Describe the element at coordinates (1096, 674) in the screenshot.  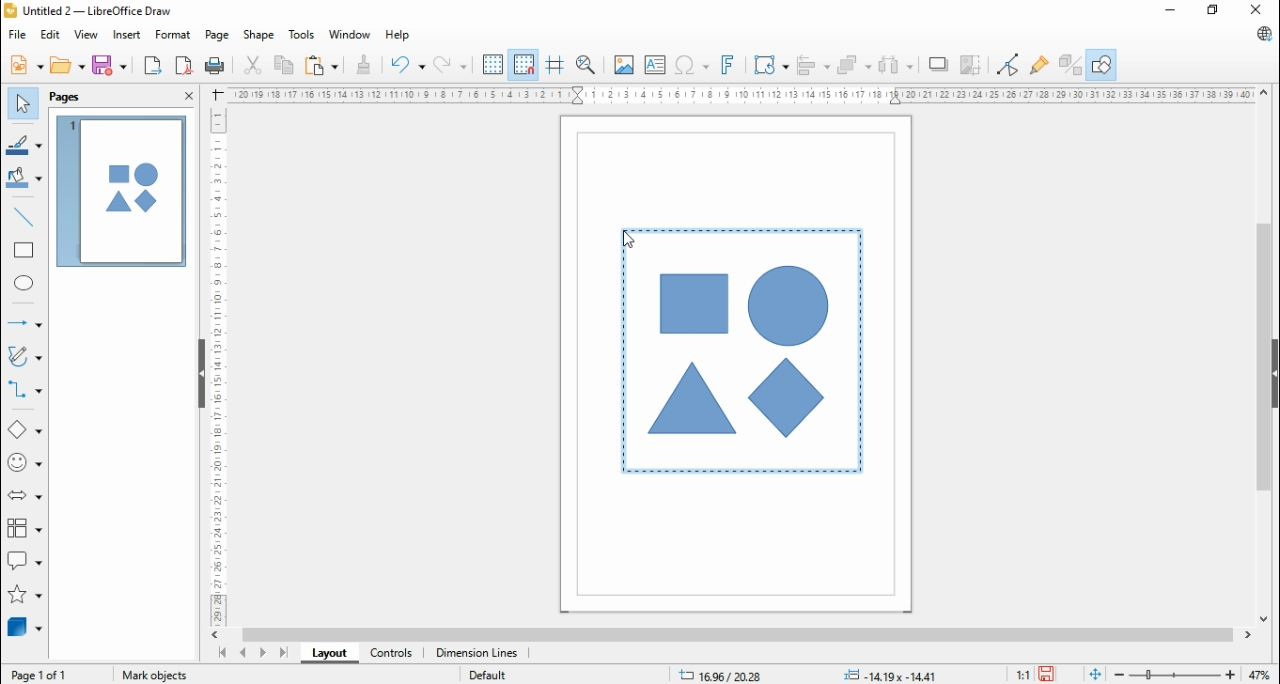
I see `fit page to window` at that location.